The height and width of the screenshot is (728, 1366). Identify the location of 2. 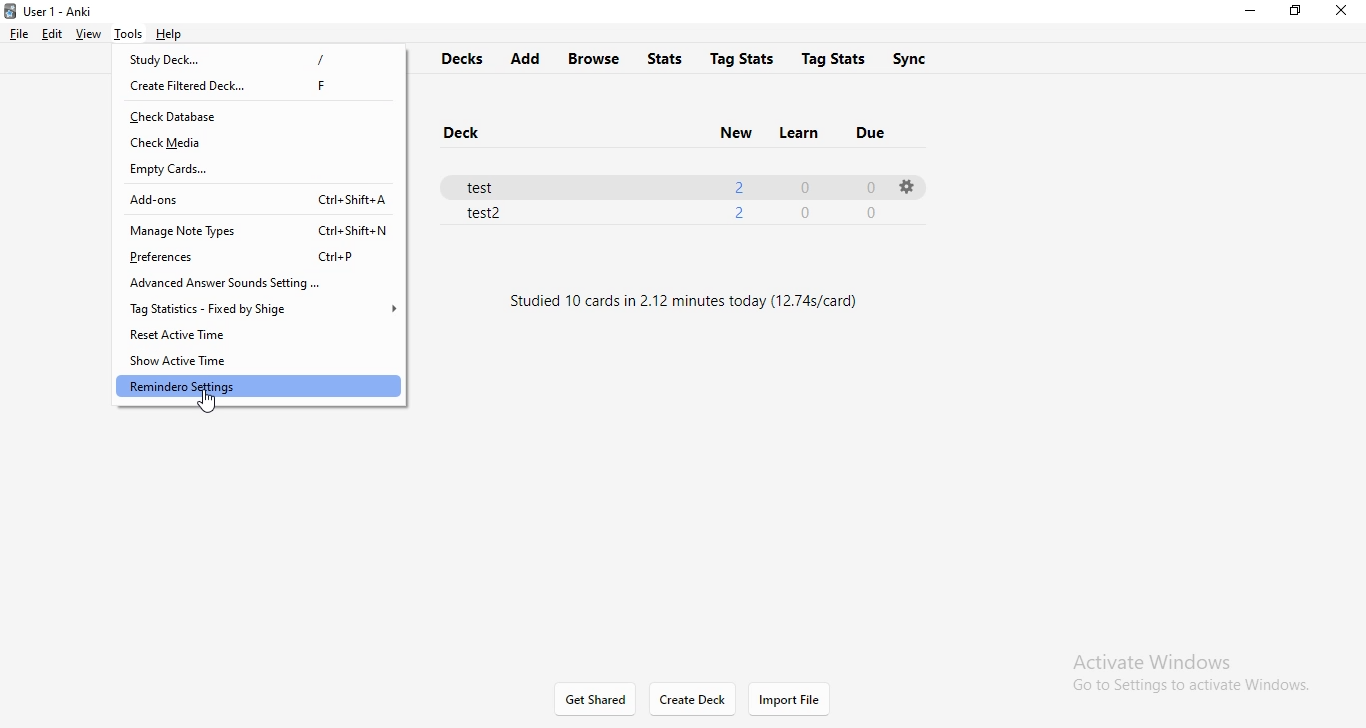
(737, 184).